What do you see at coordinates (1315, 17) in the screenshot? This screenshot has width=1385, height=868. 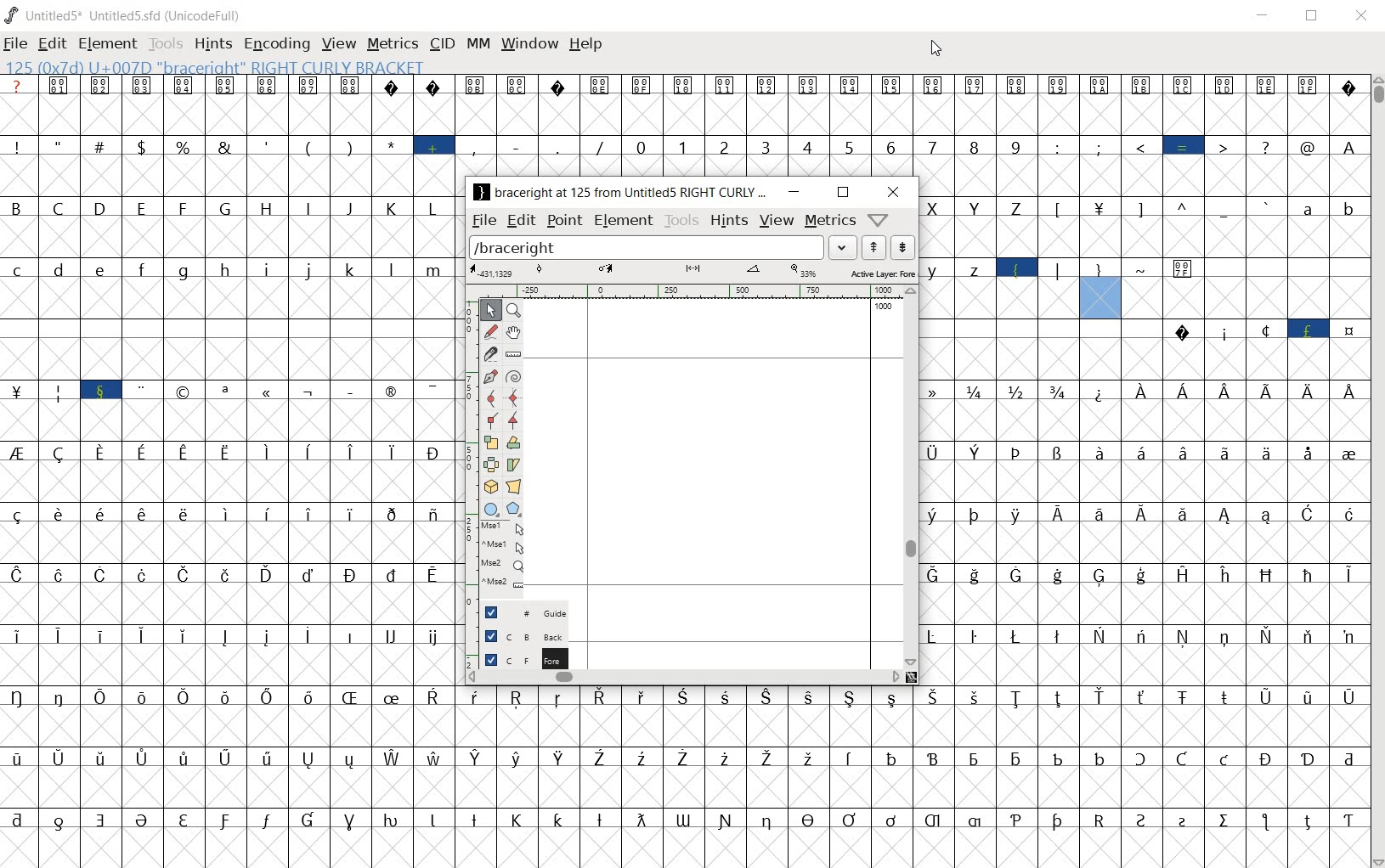 I see `RESTORE DOWN` at bounding box center [1315, 17].